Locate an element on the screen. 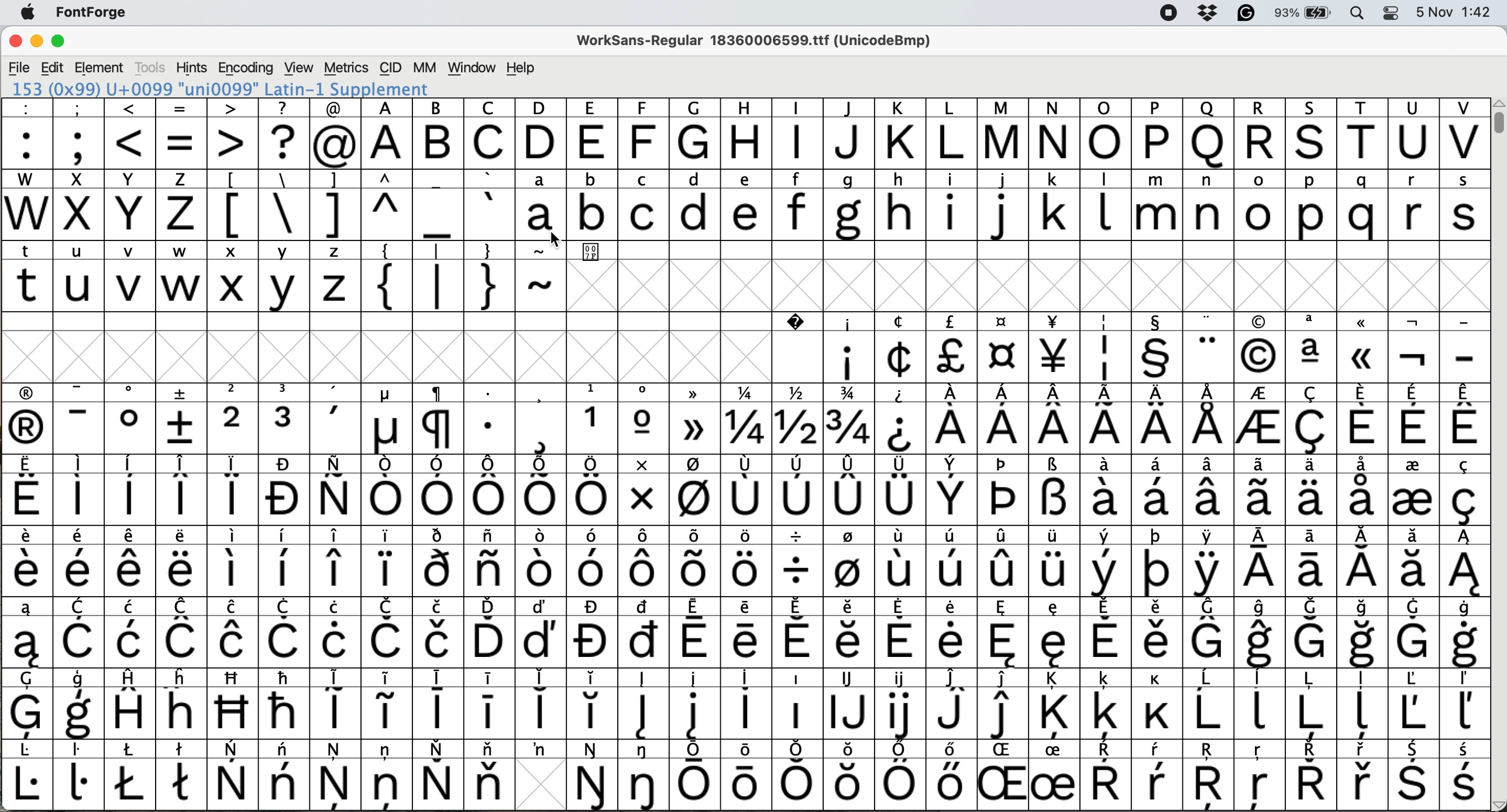 This screenshot has width=1507, height=812. symbol is located at coordinates (1364, 488).